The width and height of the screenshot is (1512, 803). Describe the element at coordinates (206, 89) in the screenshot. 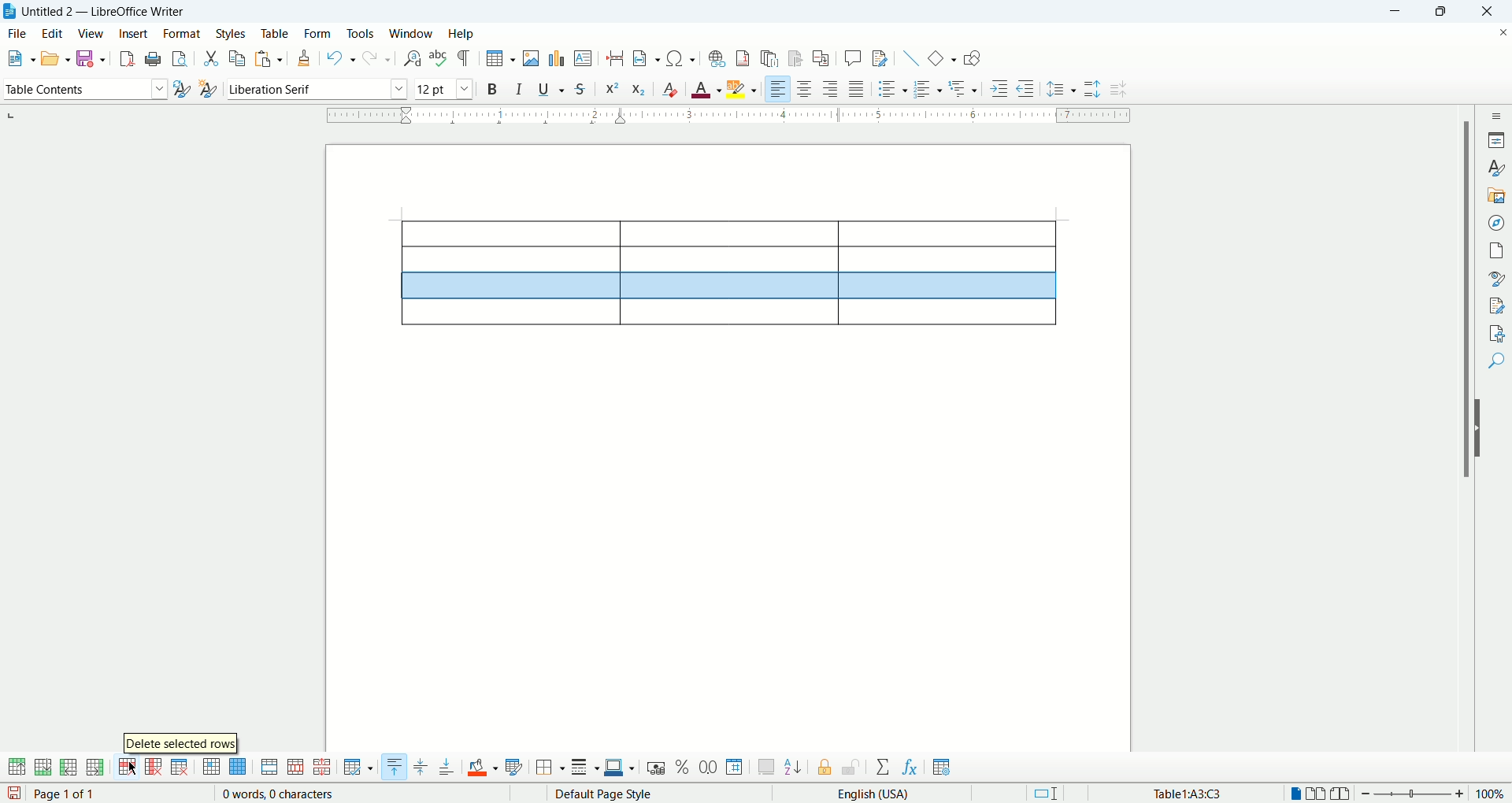

I see `select new style` at that location.